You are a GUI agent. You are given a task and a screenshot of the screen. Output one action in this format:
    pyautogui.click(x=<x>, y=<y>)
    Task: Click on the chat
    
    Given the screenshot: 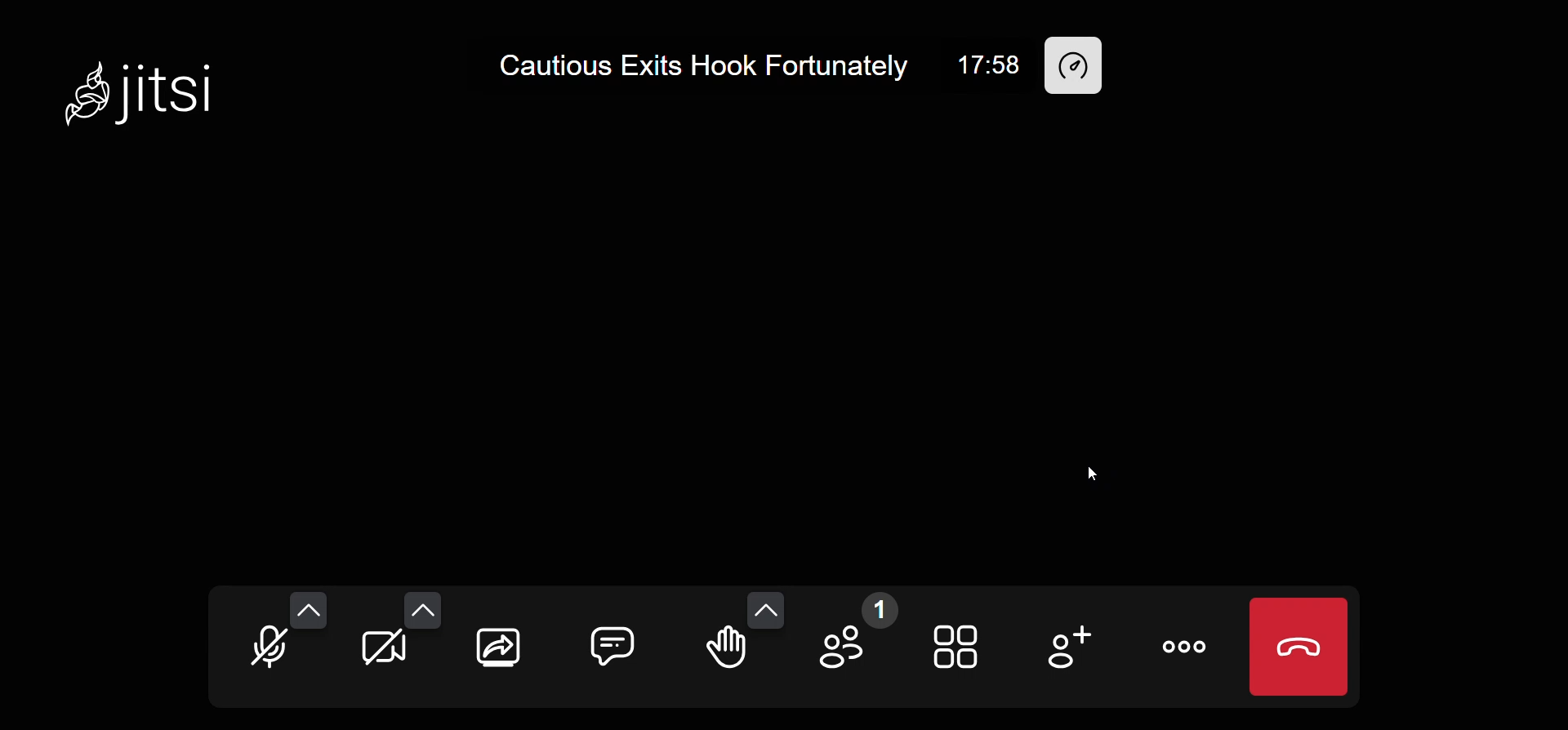 What is the action you would take?
    pyautogui.click(x=618, y=641)
    